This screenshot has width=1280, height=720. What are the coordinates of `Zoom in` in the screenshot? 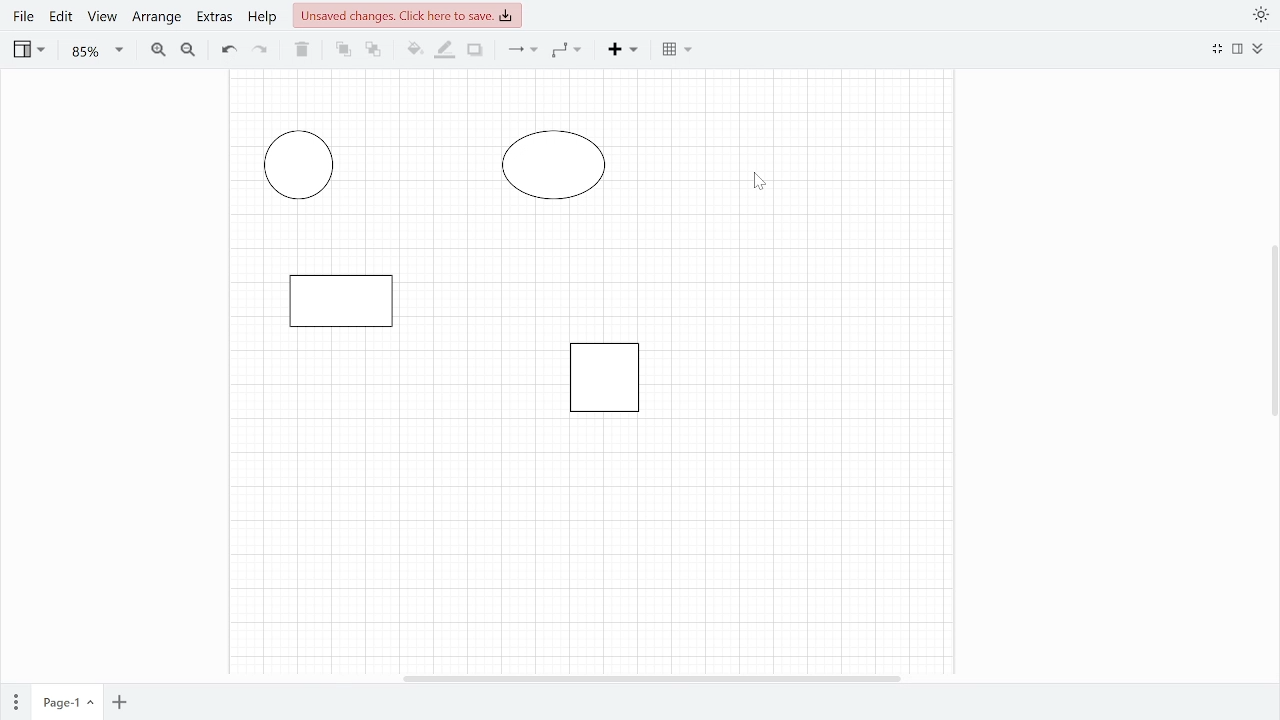 It's located at (159, 51).